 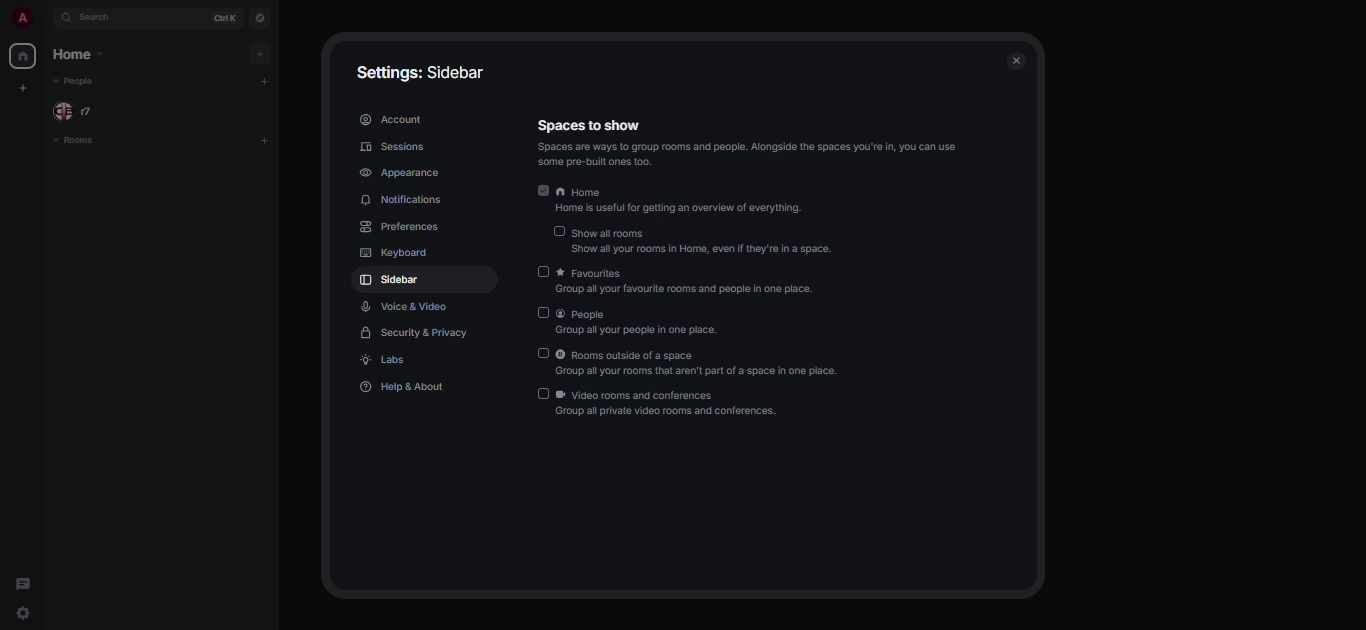 What do you see at coordinates (405, 202) in the screenshot?
I see `notifications` at bounding box center [405, 202].